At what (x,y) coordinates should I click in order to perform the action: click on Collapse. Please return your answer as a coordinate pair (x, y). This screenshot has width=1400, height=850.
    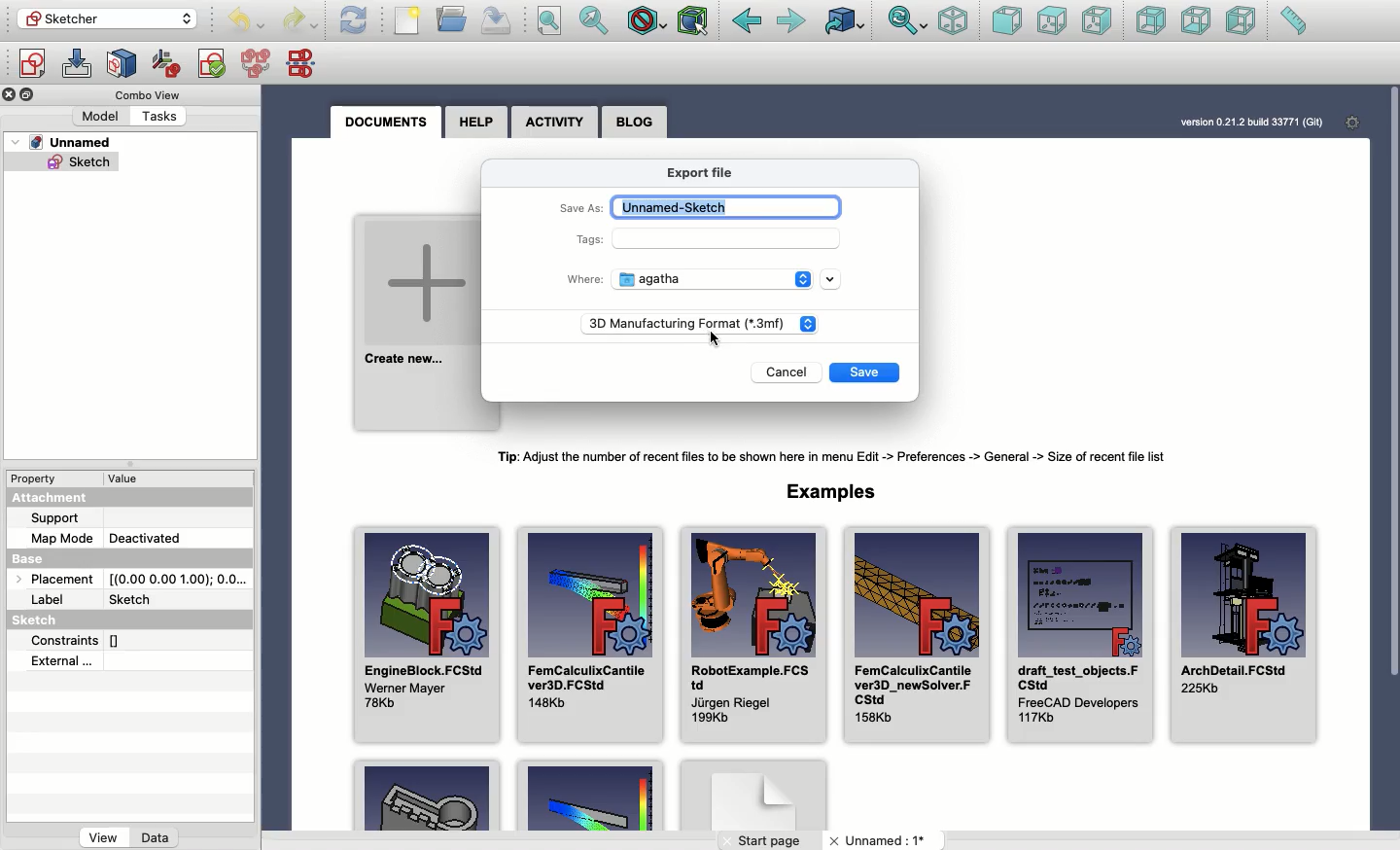
    Looking at the image, I should click on (29, 95).